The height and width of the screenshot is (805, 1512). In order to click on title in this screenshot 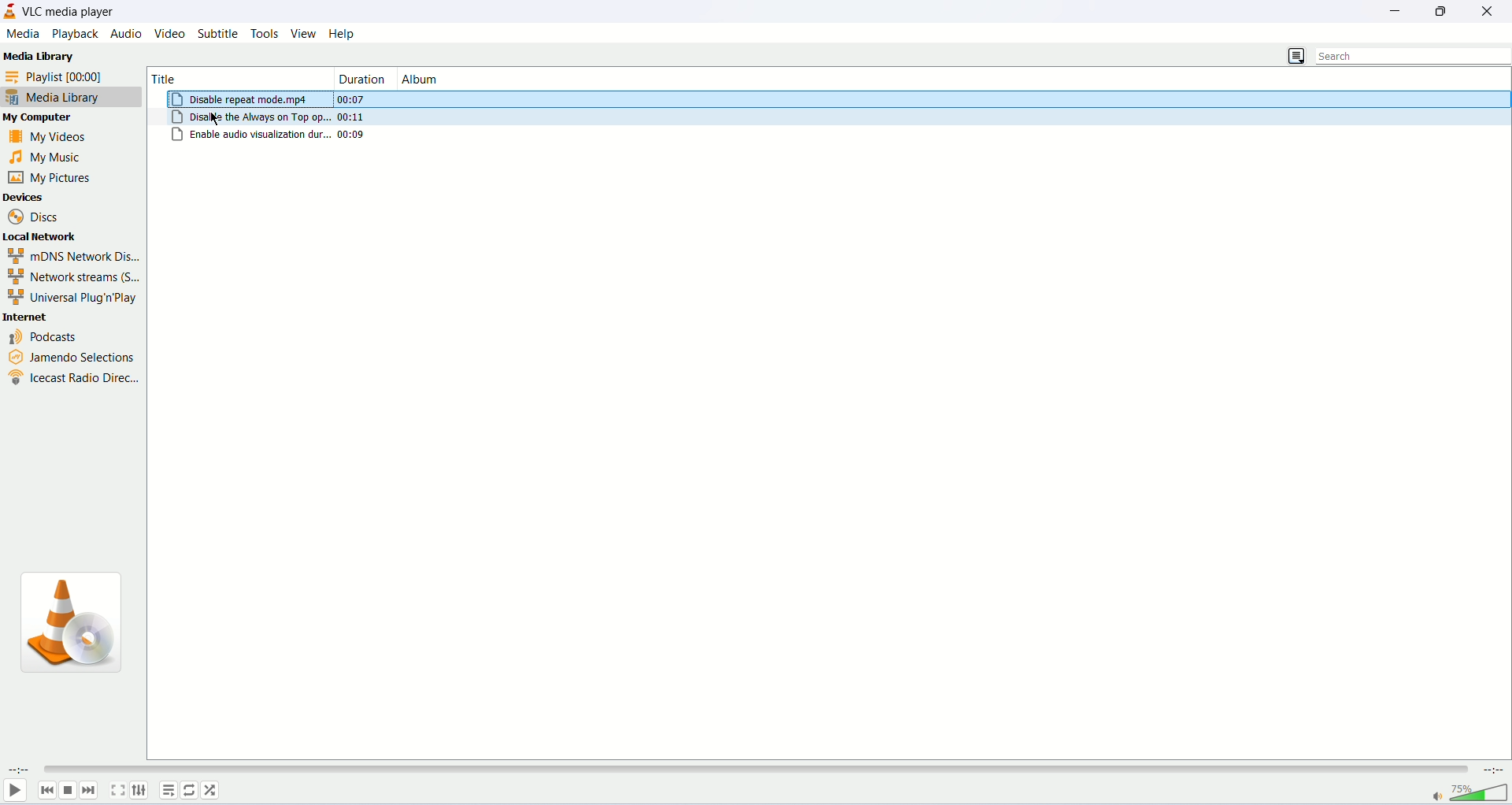, I will do `click(222, 76)`.